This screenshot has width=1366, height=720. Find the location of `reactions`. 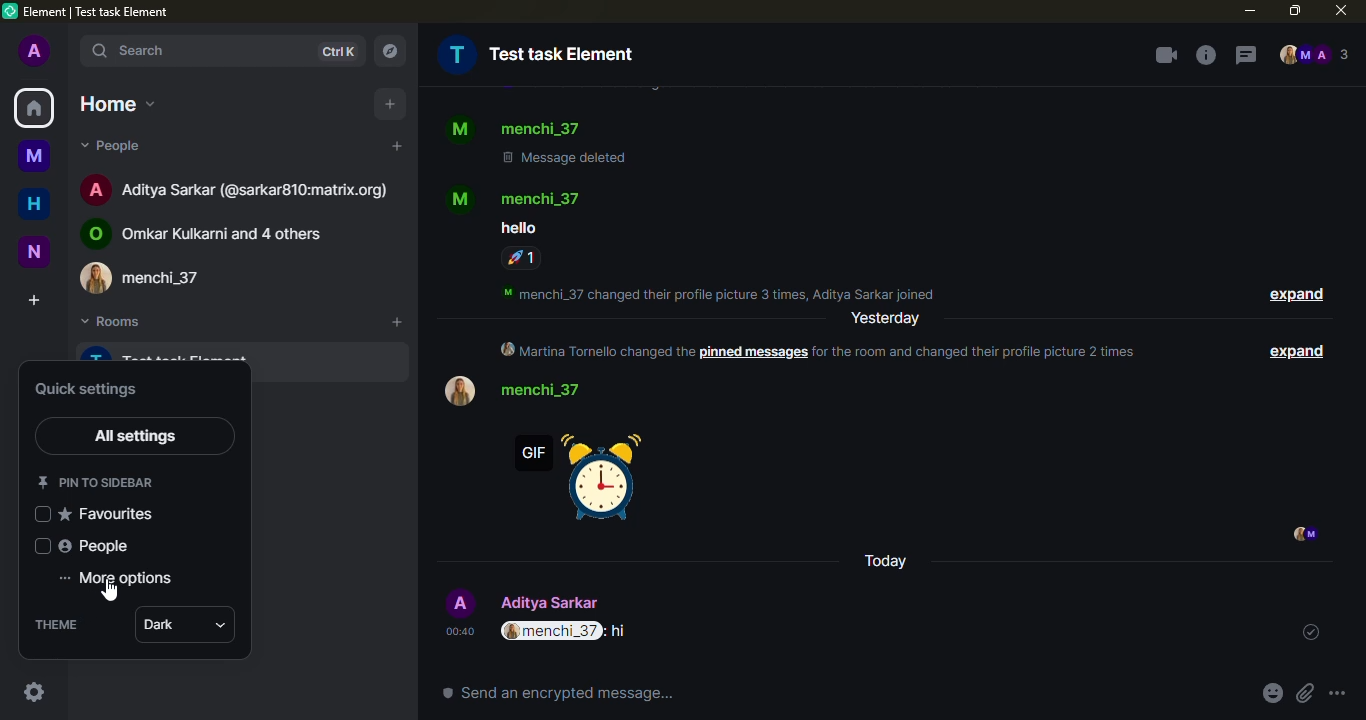

reactions is located at coordinates (520, 258).